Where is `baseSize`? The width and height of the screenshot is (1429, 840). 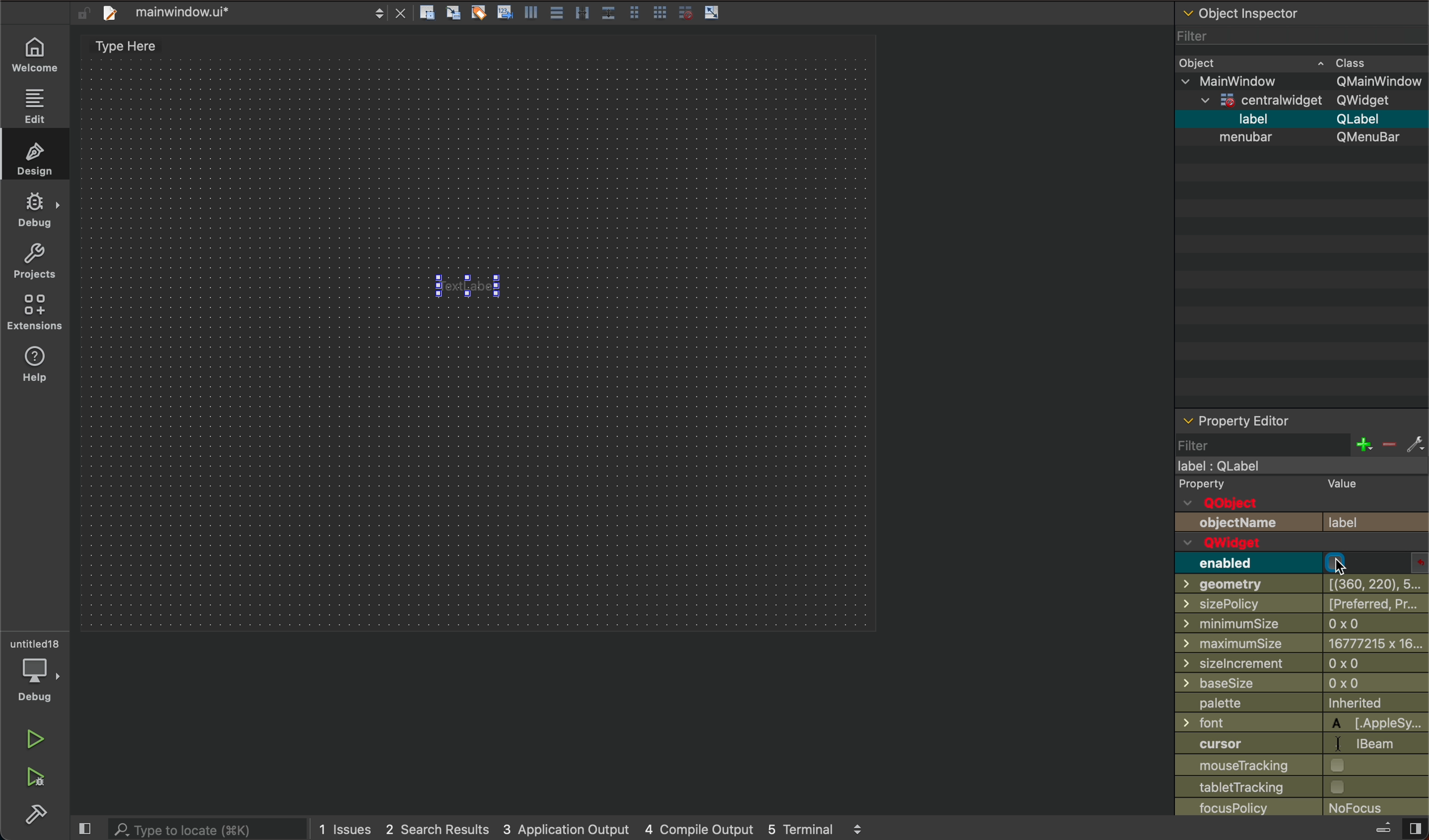
baseSize is located at coordinates (1236, 682).